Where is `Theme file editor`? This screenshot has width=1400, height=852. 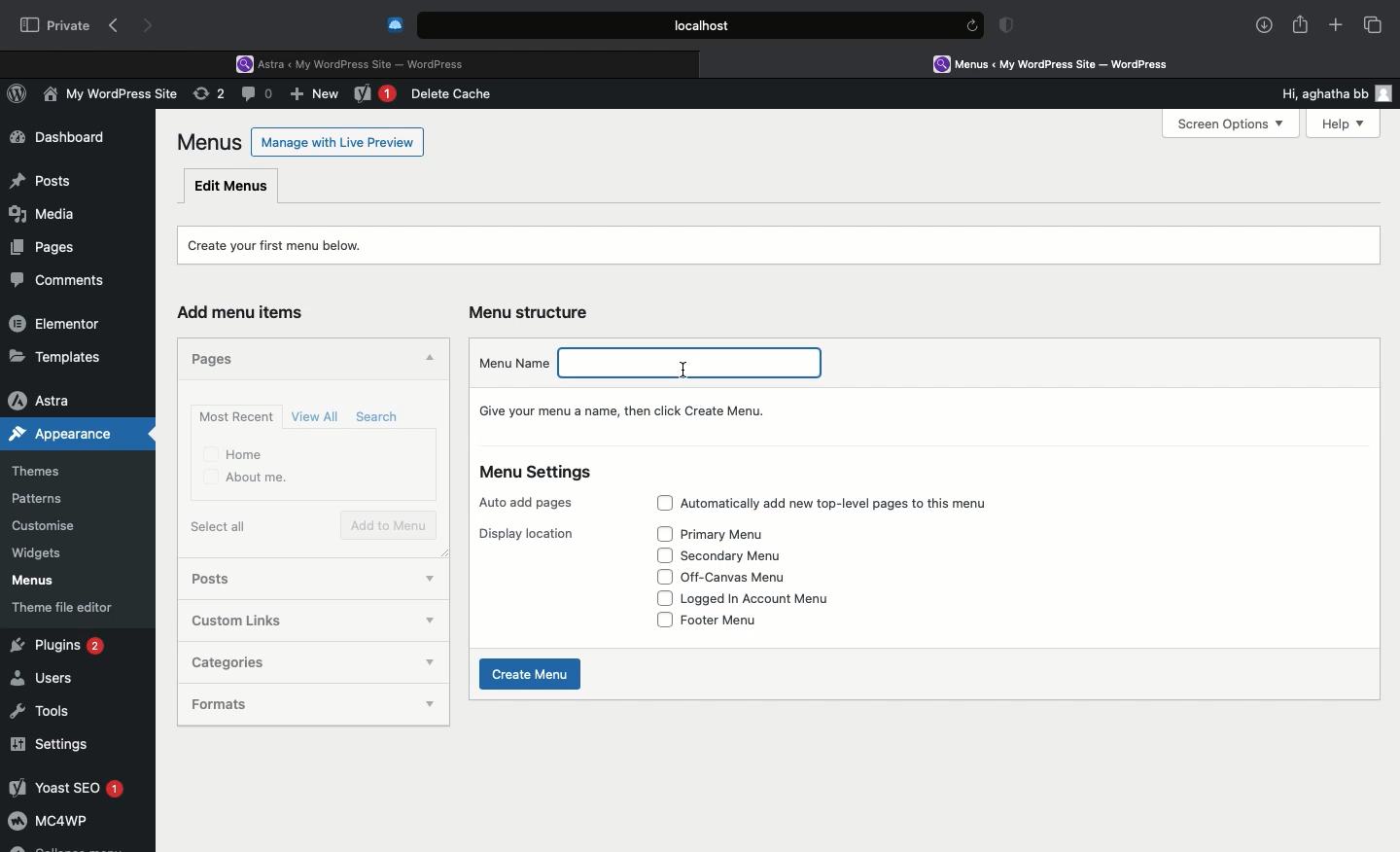
Theme file editor is located at coordinates (70, 607).